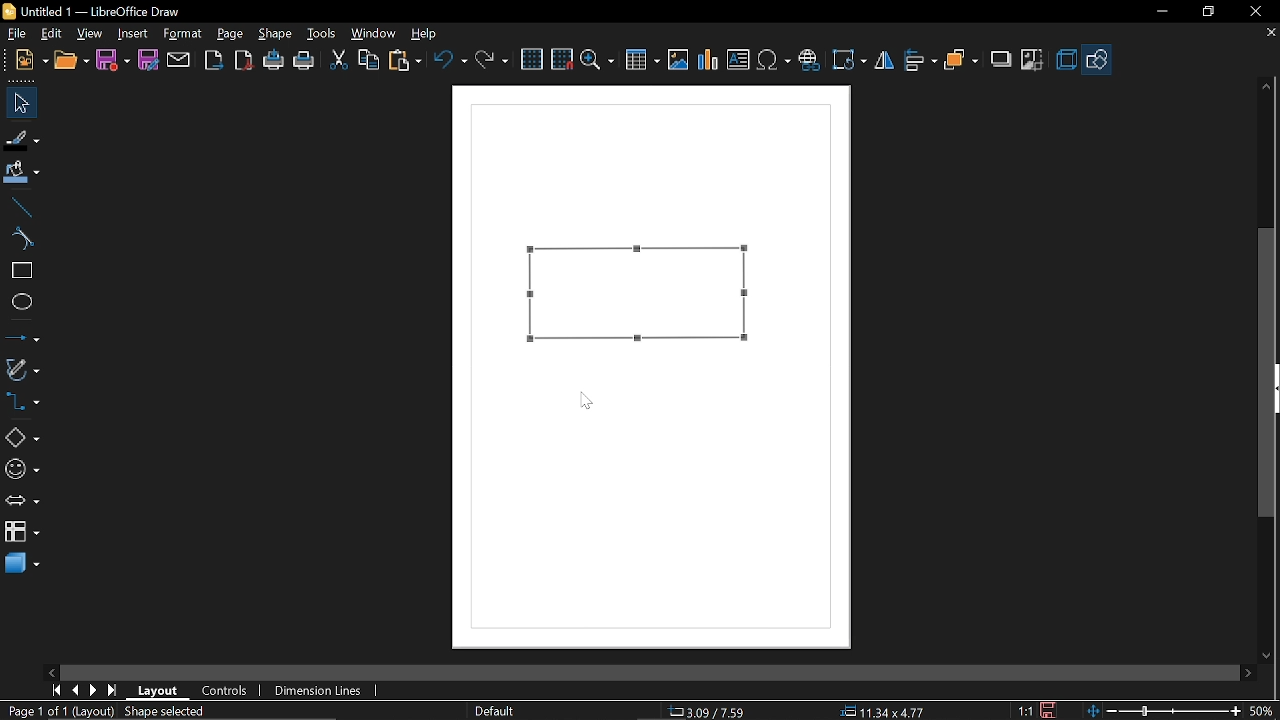  I want to click on MOve up, so click(1267, 87).